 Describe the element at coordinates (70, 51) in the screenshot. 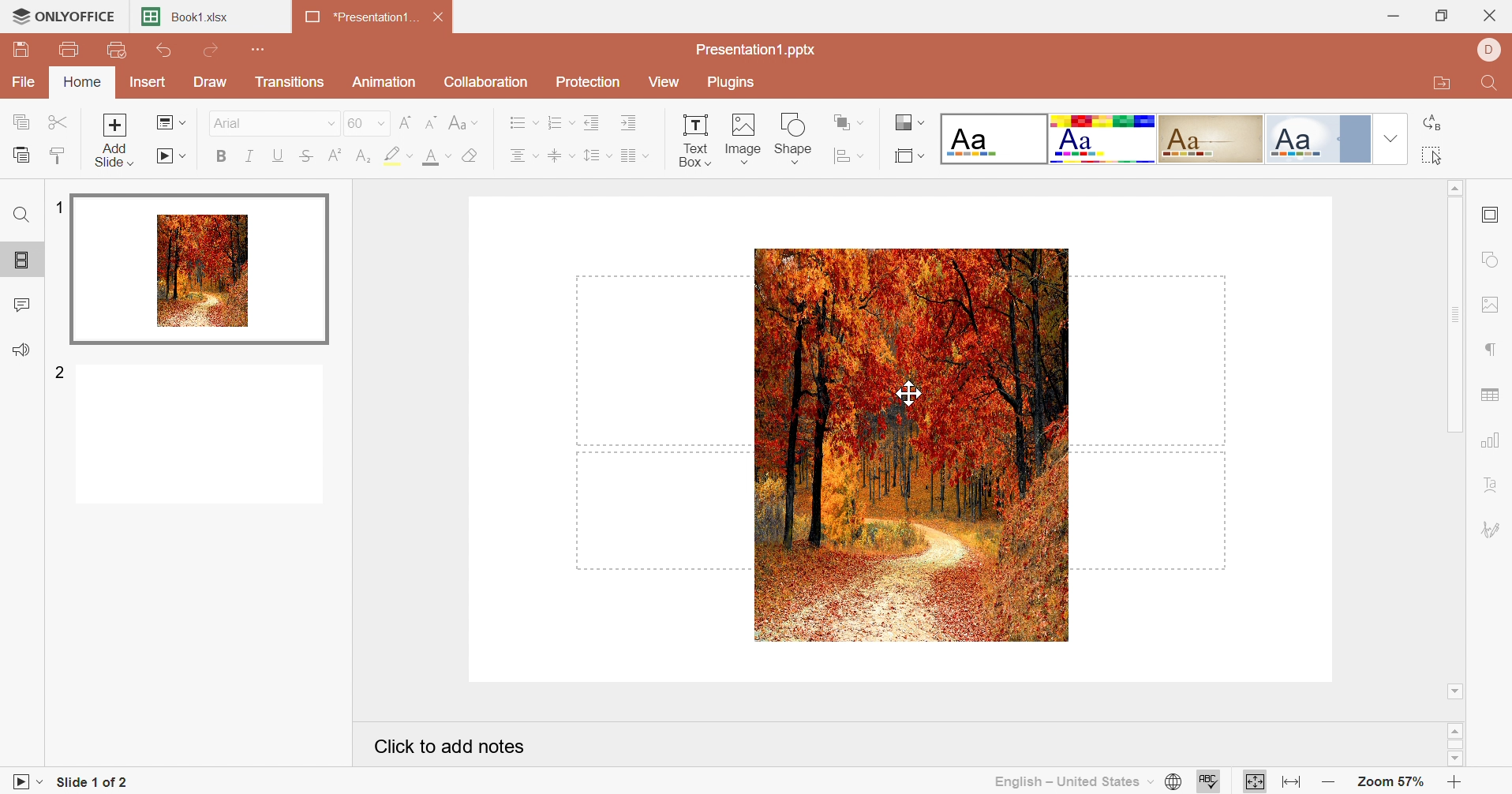

I see `Print file` at that location.